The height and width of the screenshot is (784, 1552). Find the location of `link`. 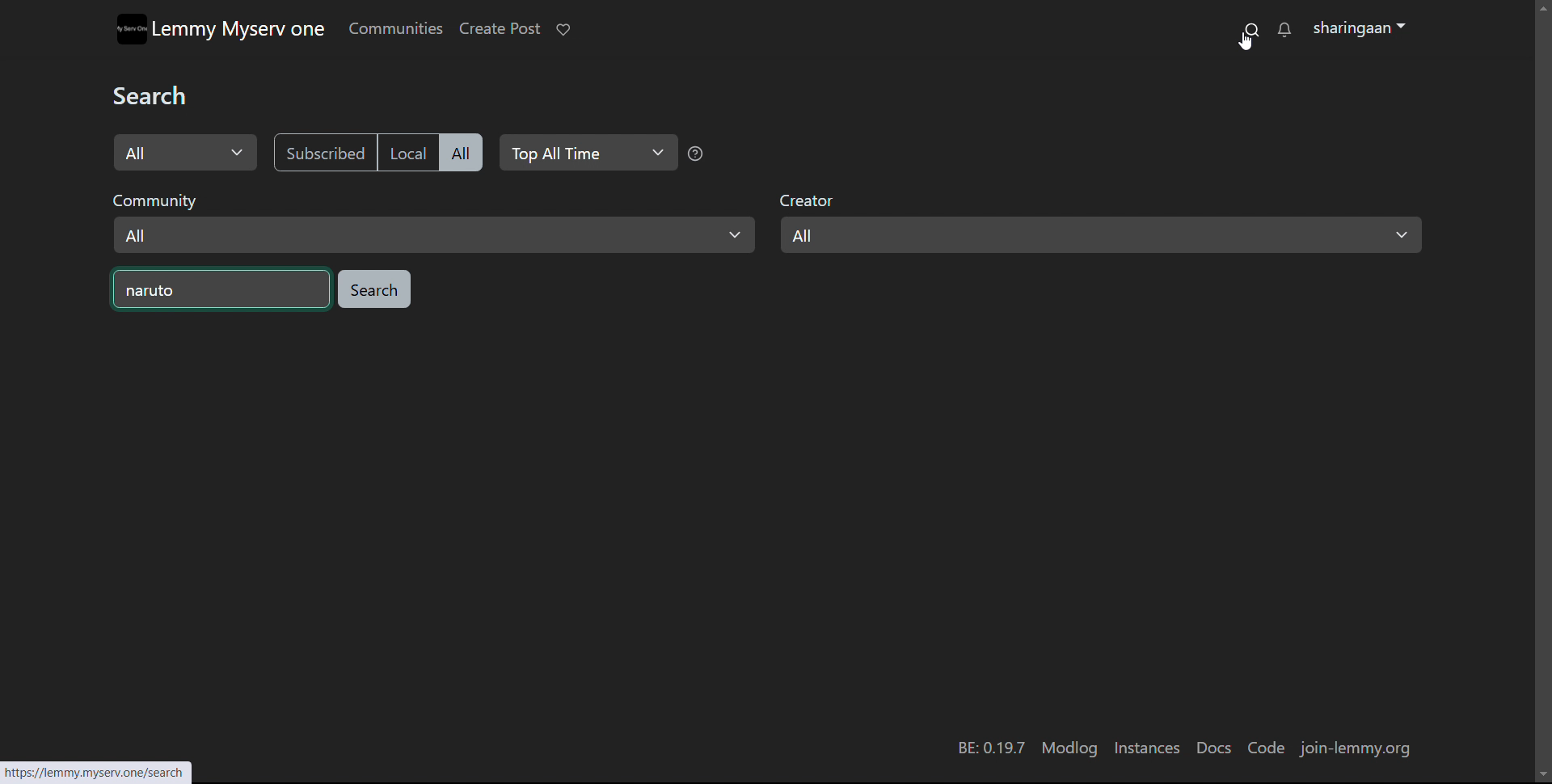

link is located at coordinates (100, 767).